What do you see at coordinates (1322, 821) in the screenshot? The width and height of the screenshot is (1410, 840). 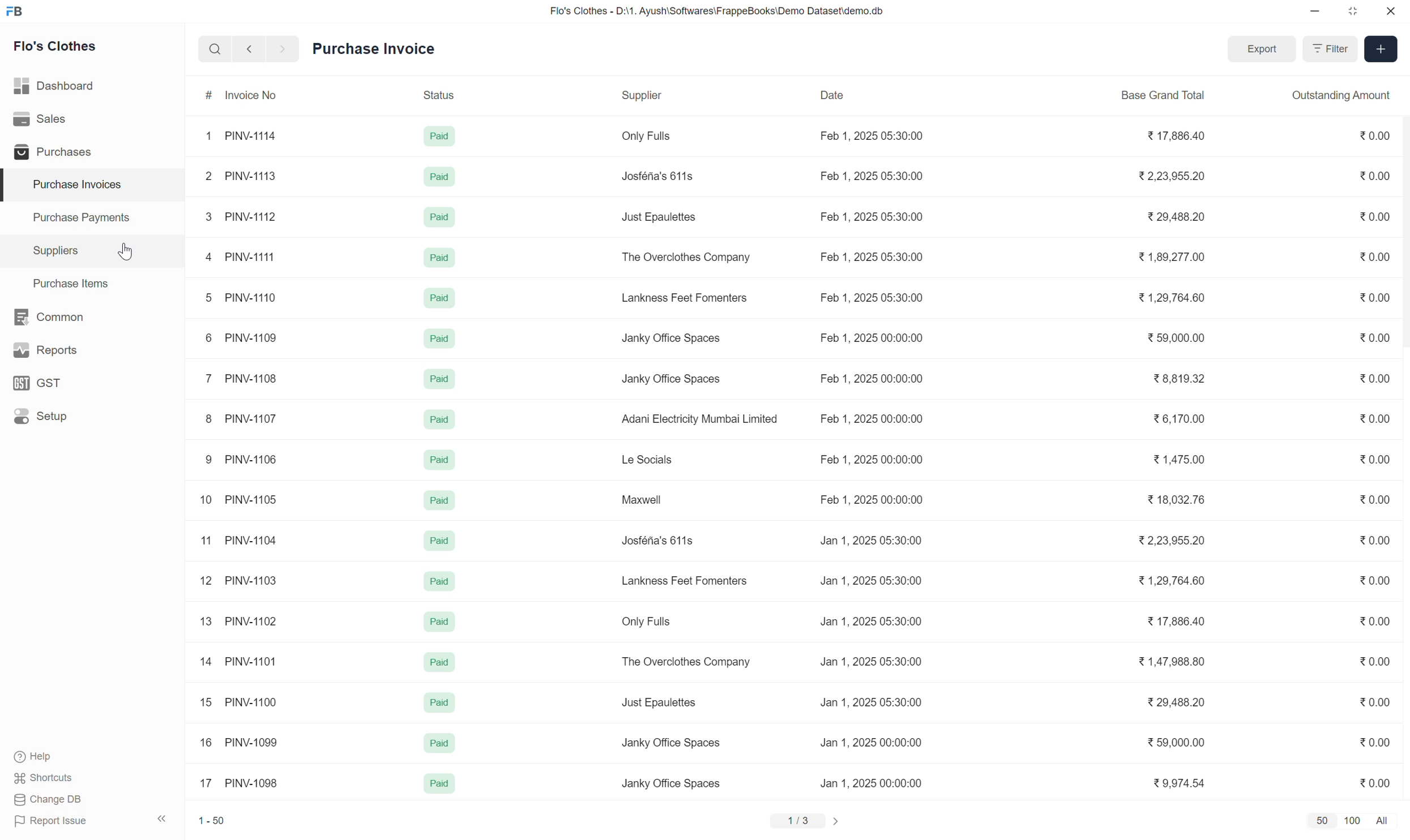 I see `50` at bounding box center [1322, 821].